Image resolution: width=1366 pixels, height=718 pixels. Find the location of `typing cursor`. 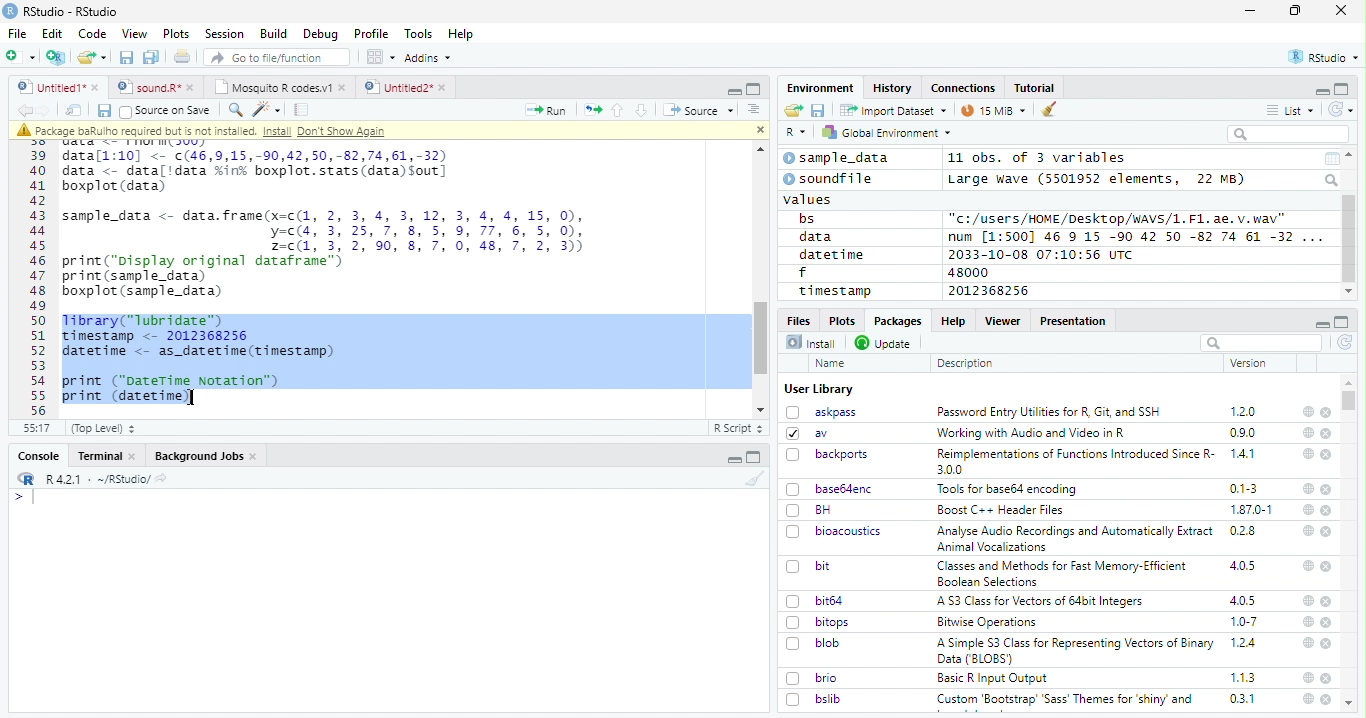

typing cursor is located at coordinates (24, 497).